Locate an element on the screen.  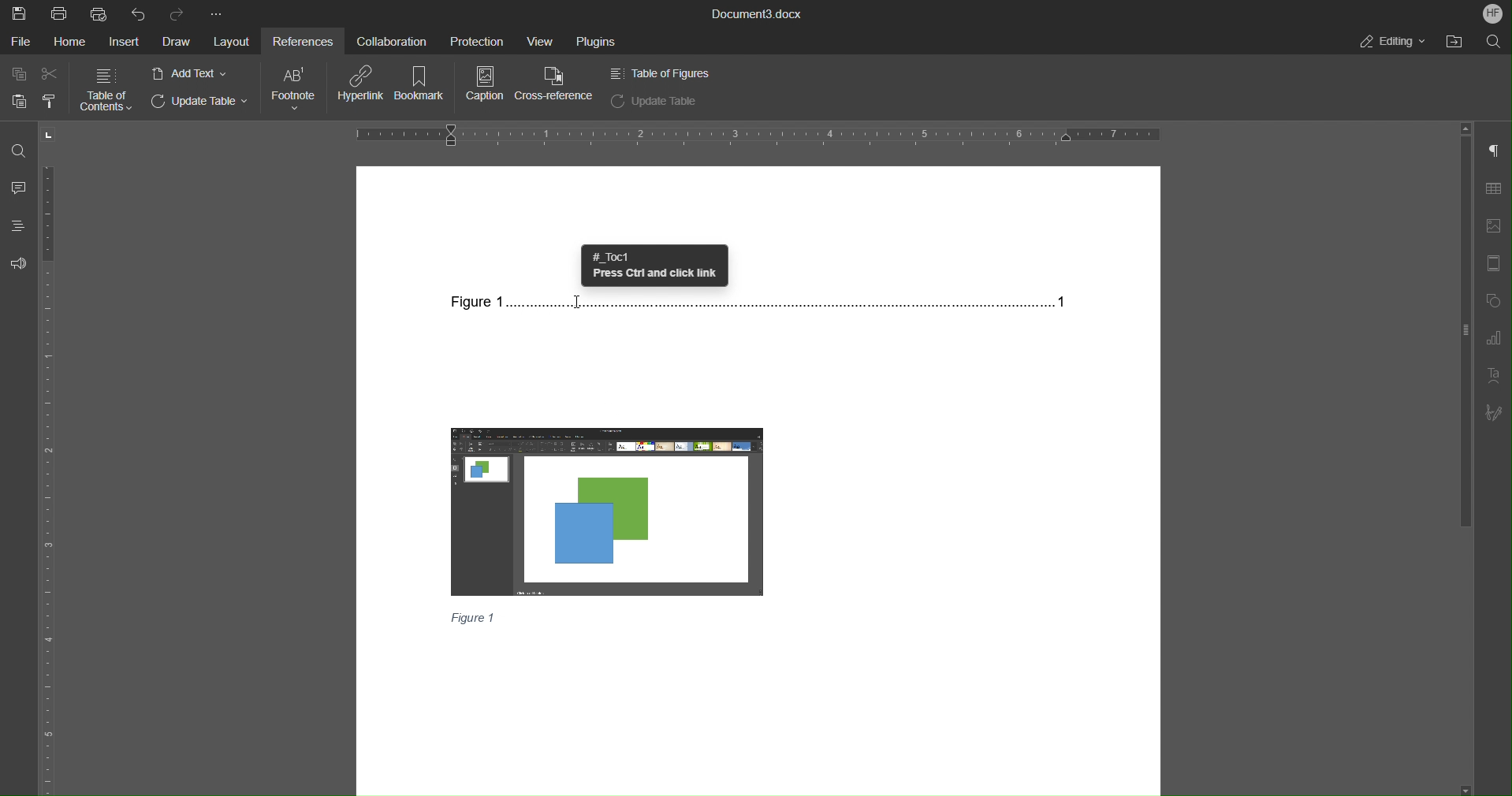
Home is located at coordinates (73, 42).